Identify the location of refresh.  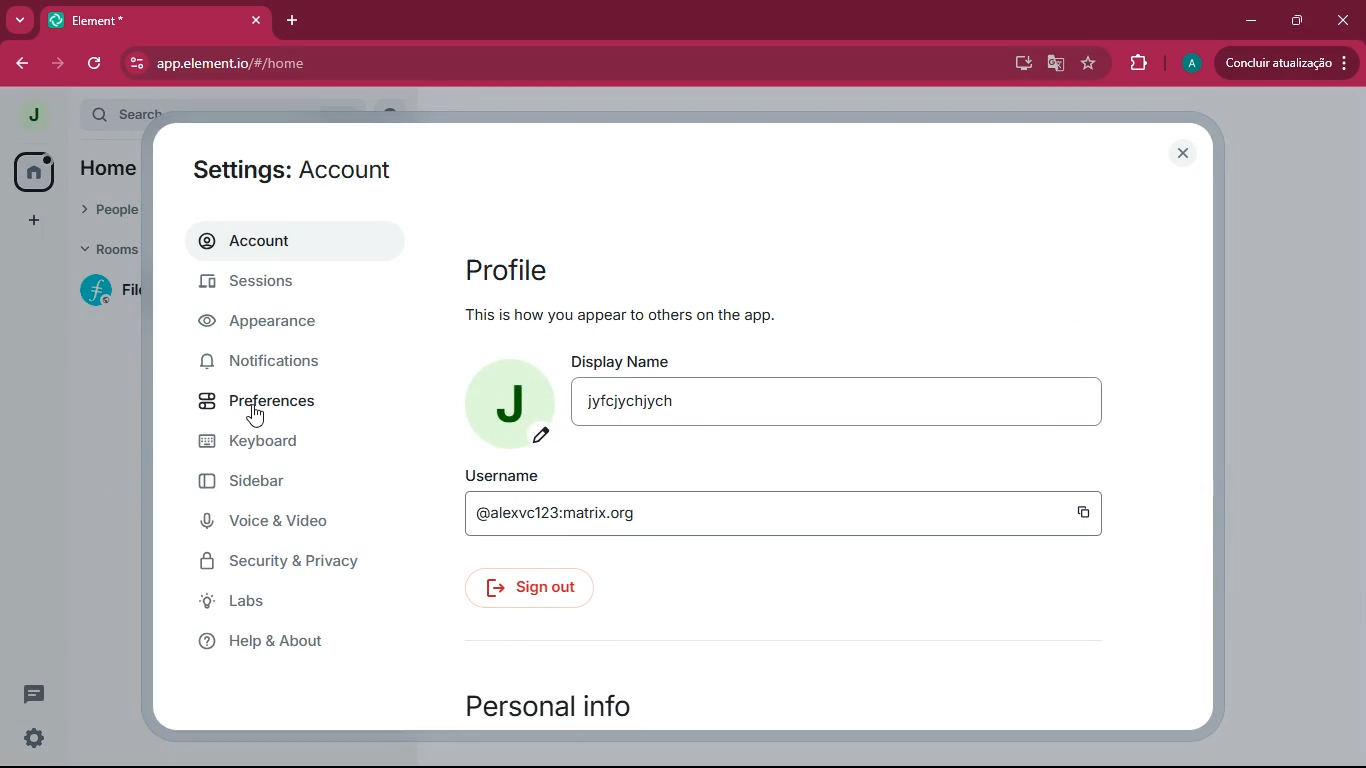
(96, 64).